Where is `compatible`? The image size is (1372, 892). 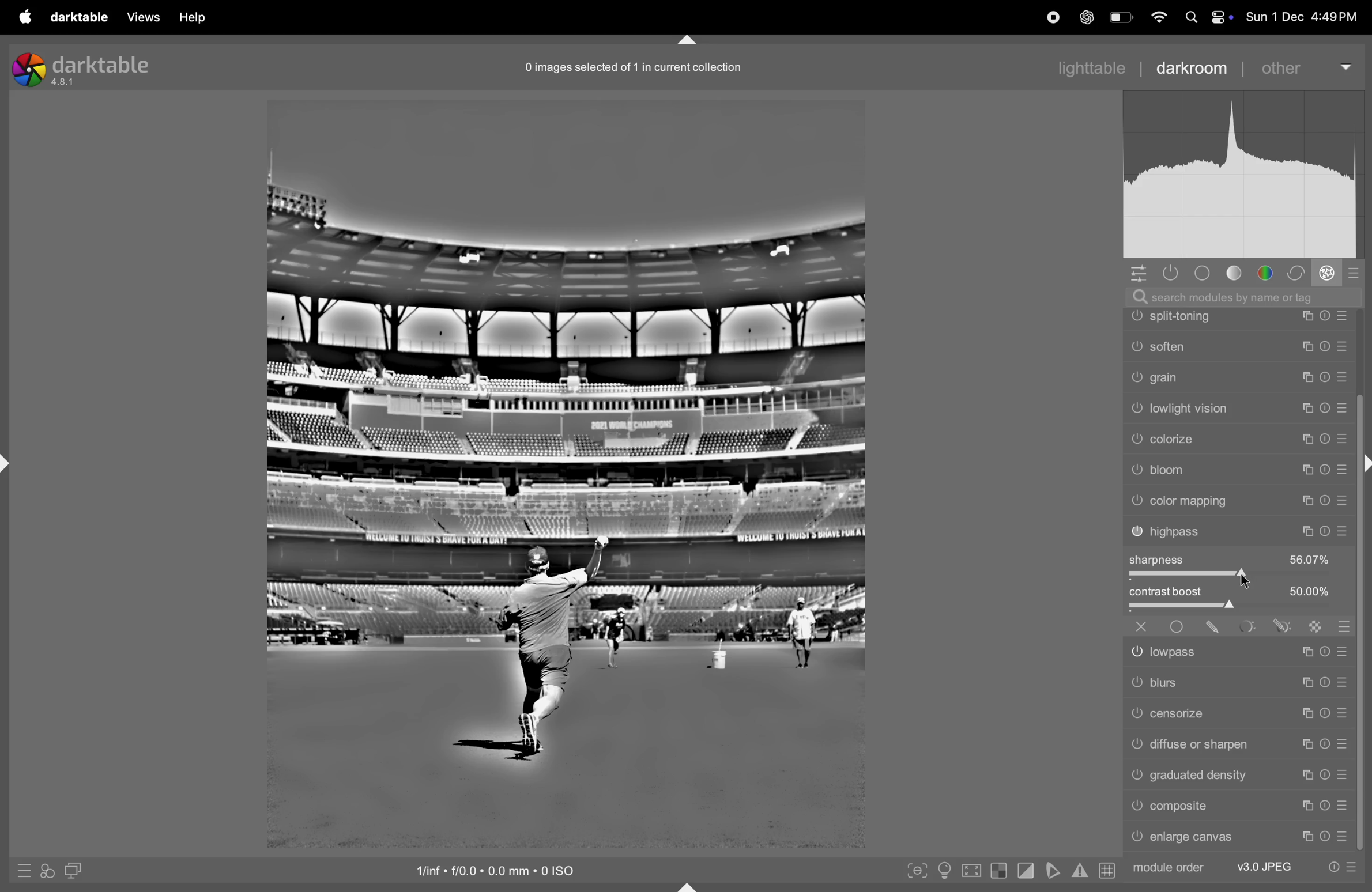 compatible is located at coordinates (1238, 807).